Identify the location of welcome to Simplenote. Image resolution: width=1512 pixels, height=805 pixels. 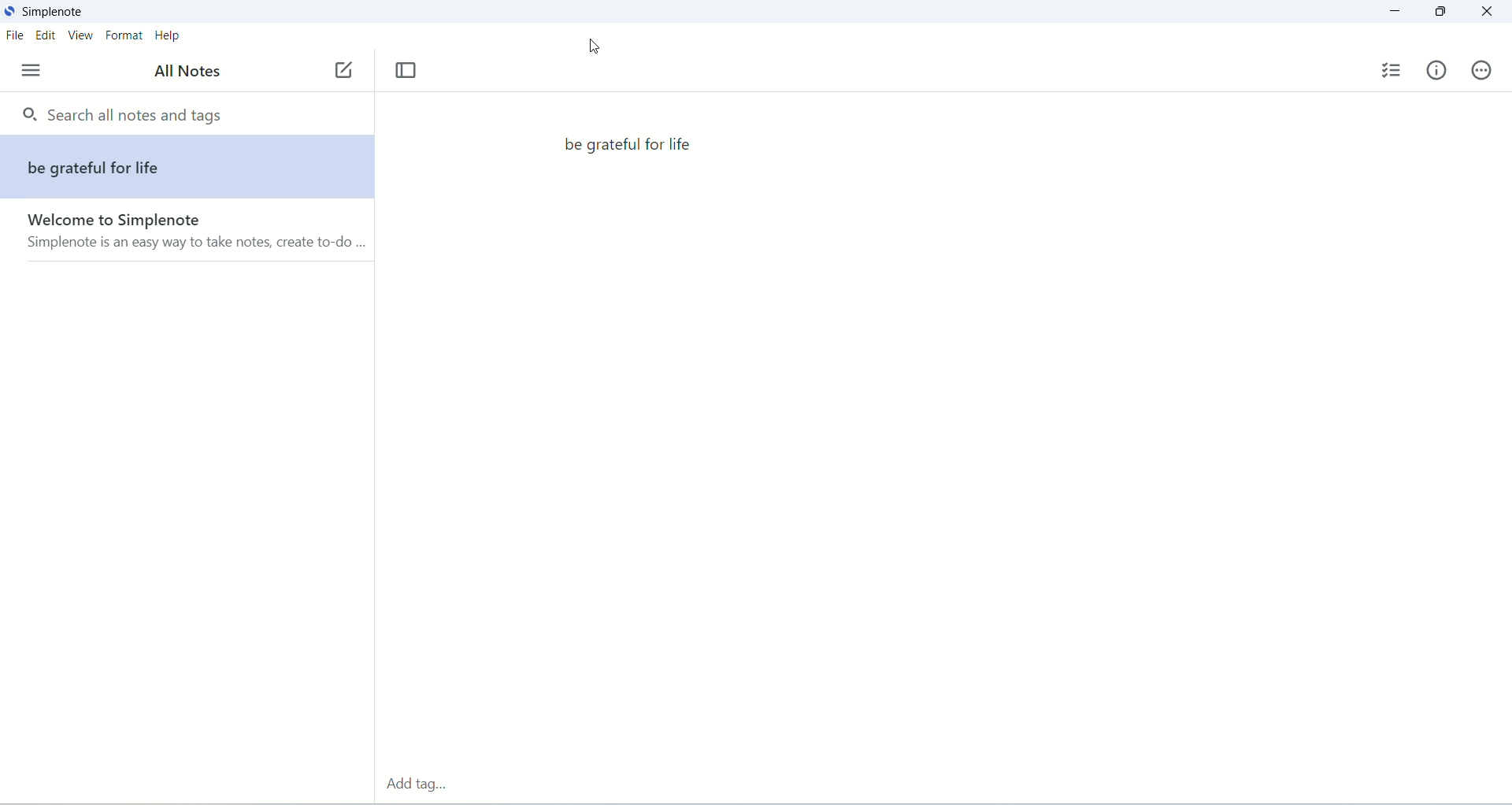
(185, 236).